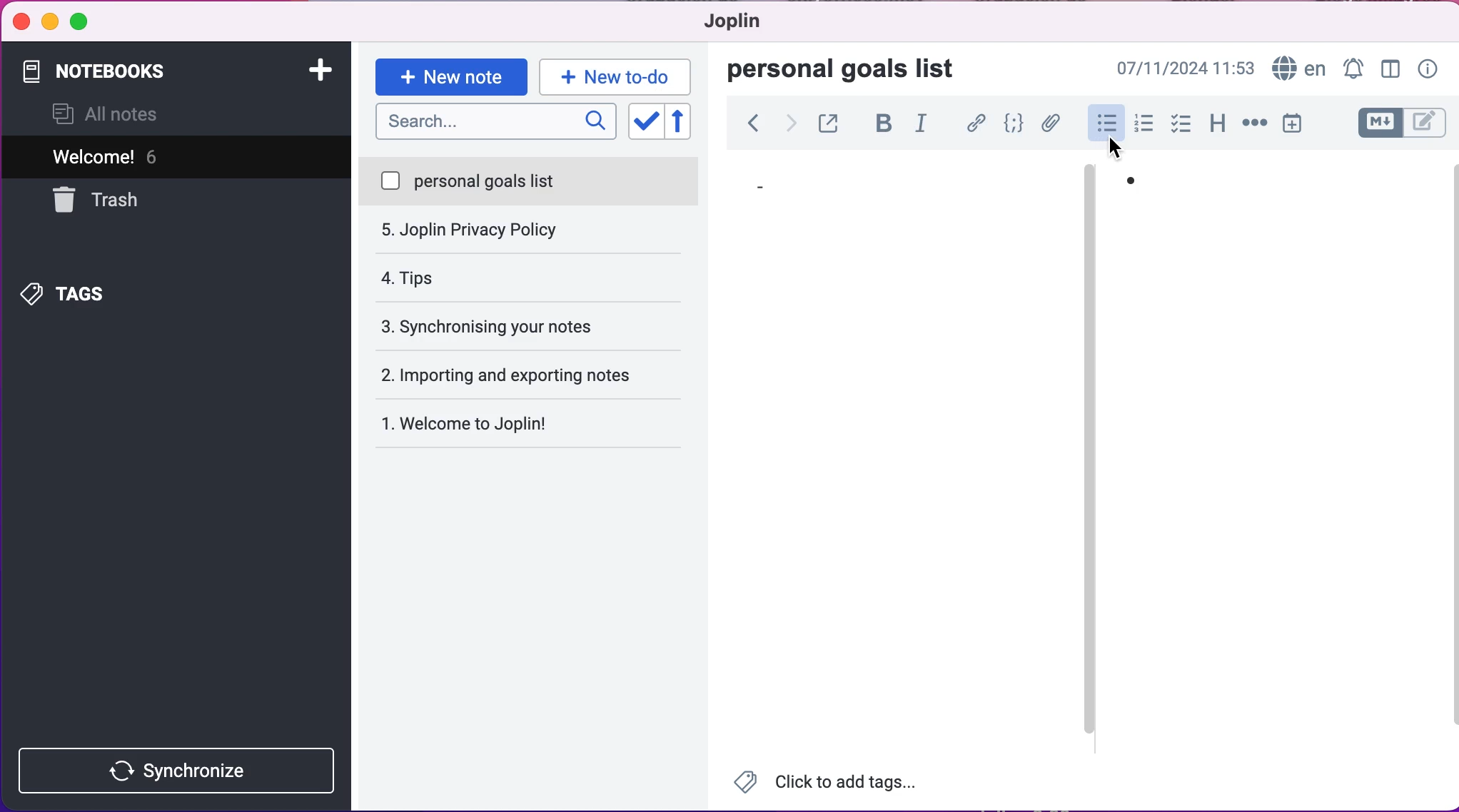 This screenshot has width=1459, height=812. Describe the element at coordinates (92, 291) in the screenshot. I see `tags` at that location.